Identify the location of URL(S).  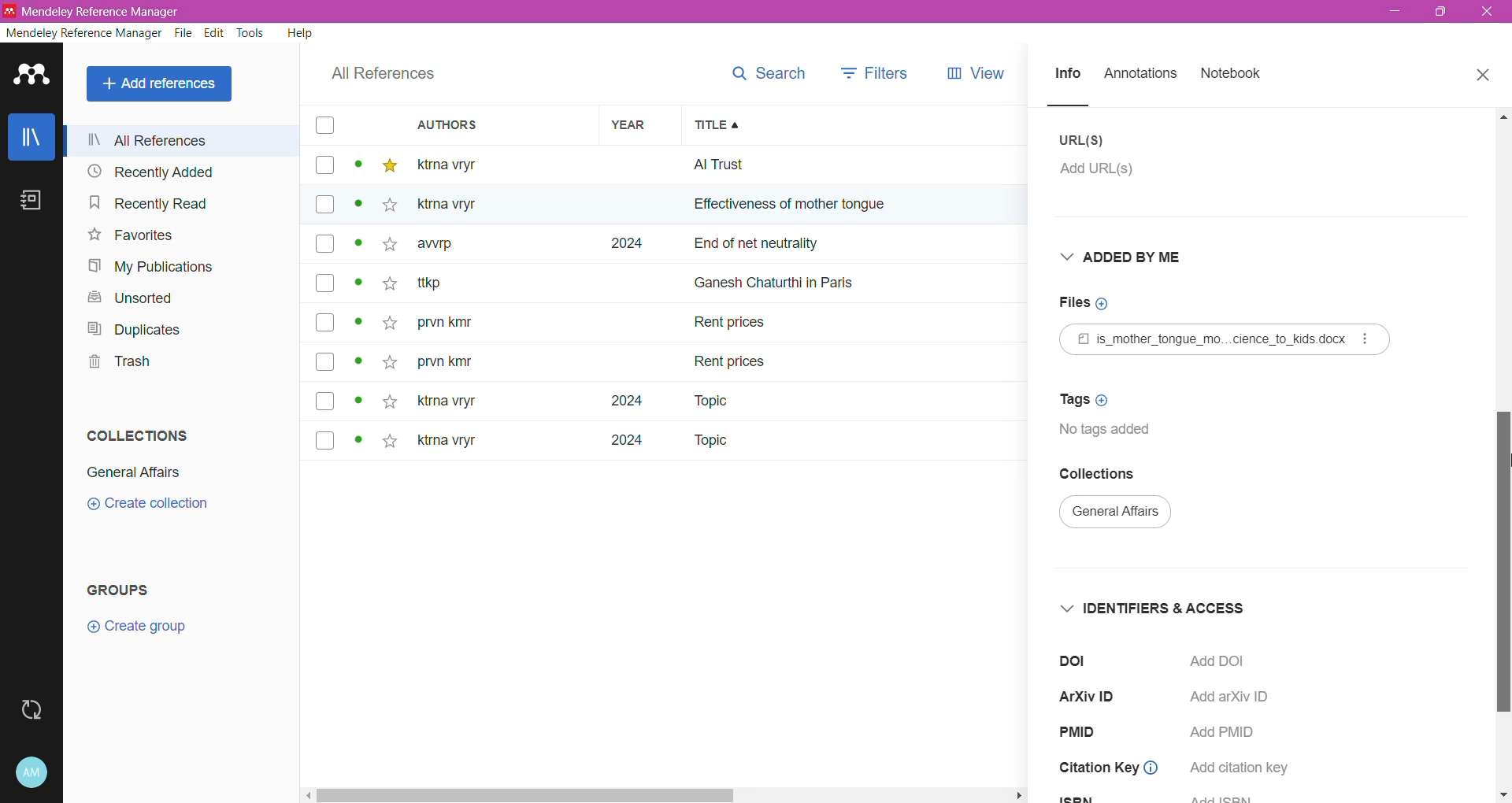
(1084, 140).